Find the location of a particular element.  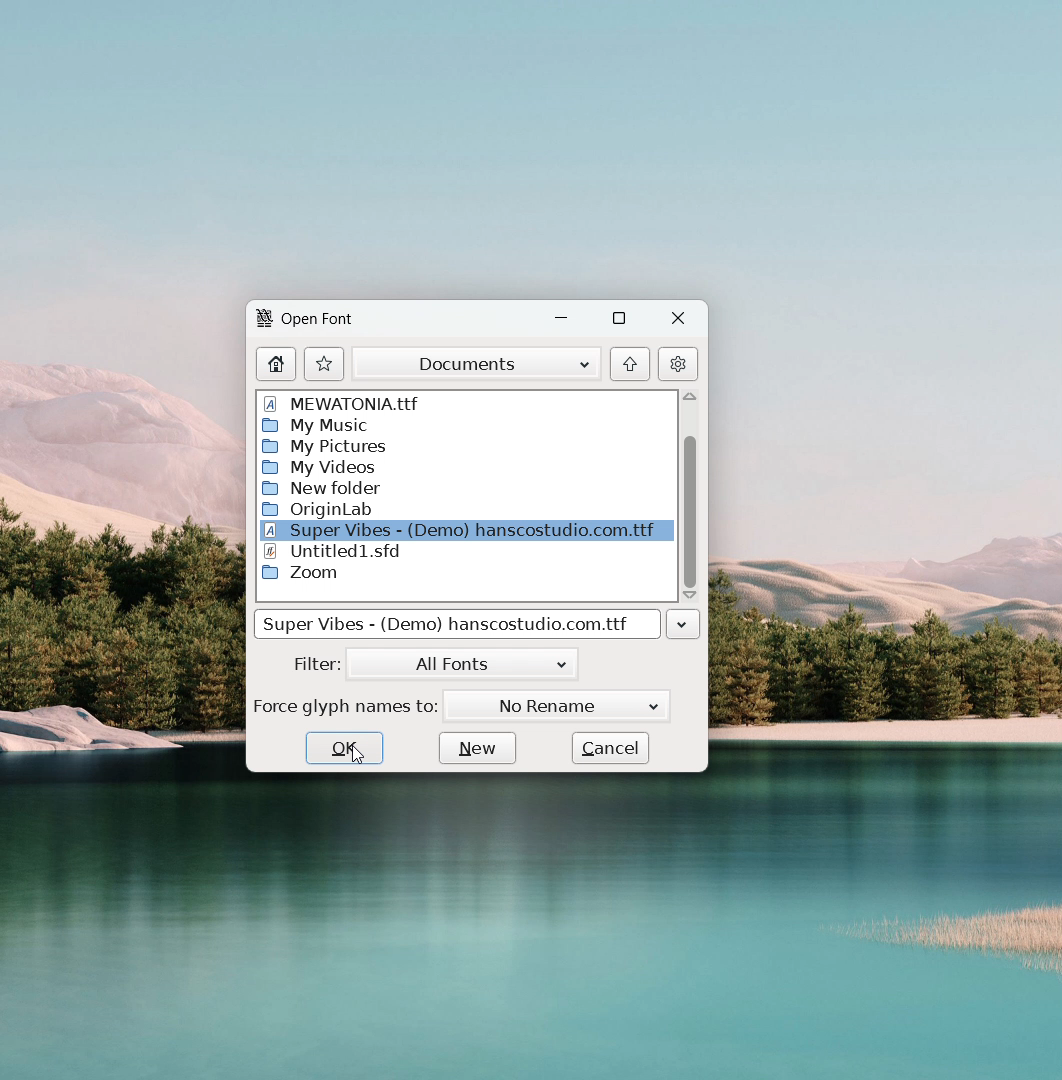

minimize is located at coordinates (562, 318).